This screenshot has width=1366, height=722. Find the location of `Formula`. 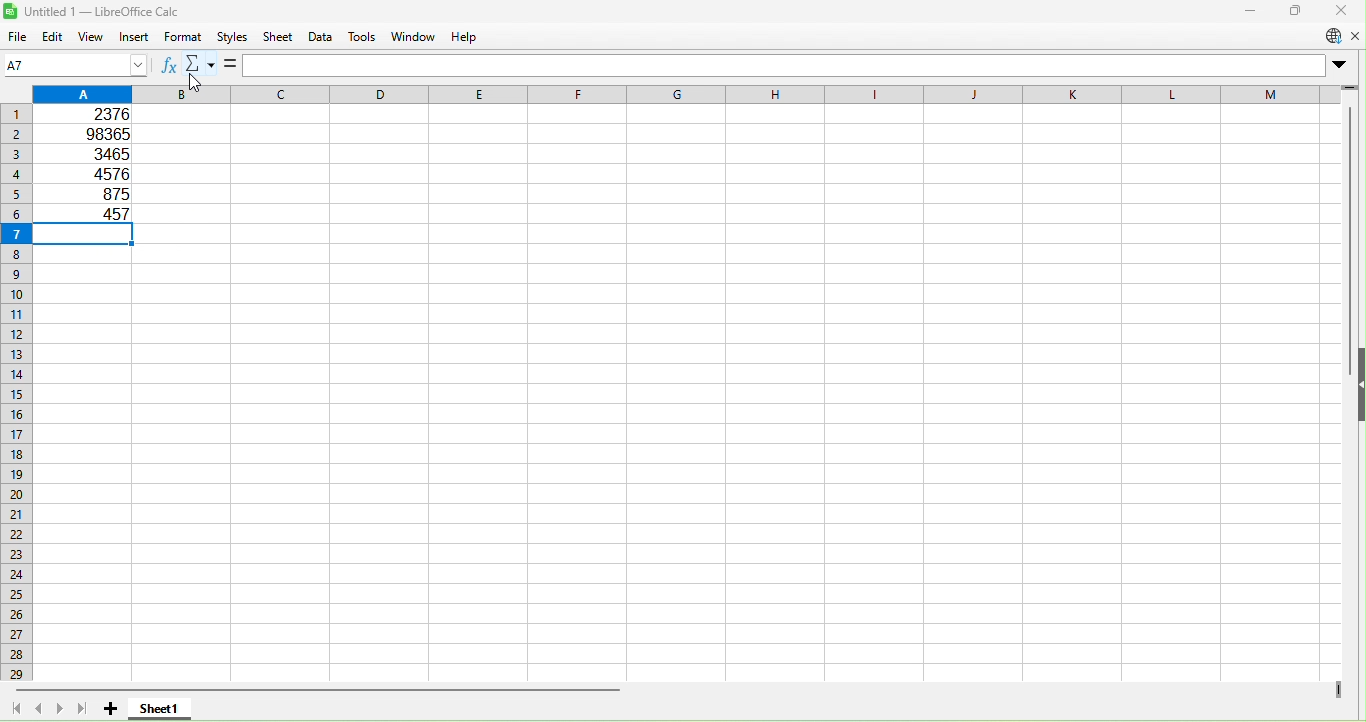

Formula is located at coordinates (233, 65).